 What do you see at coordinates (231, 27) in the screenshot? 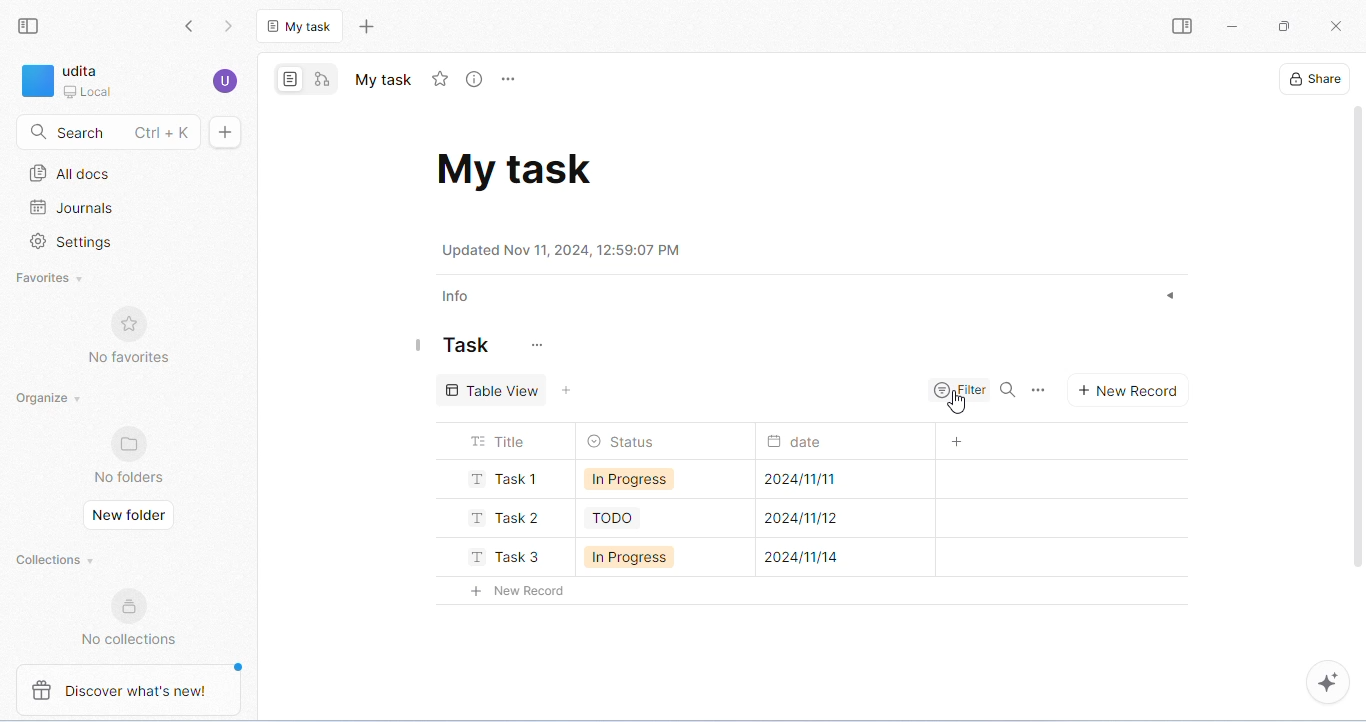
I see `go forward` at bounding box center [231, 27].